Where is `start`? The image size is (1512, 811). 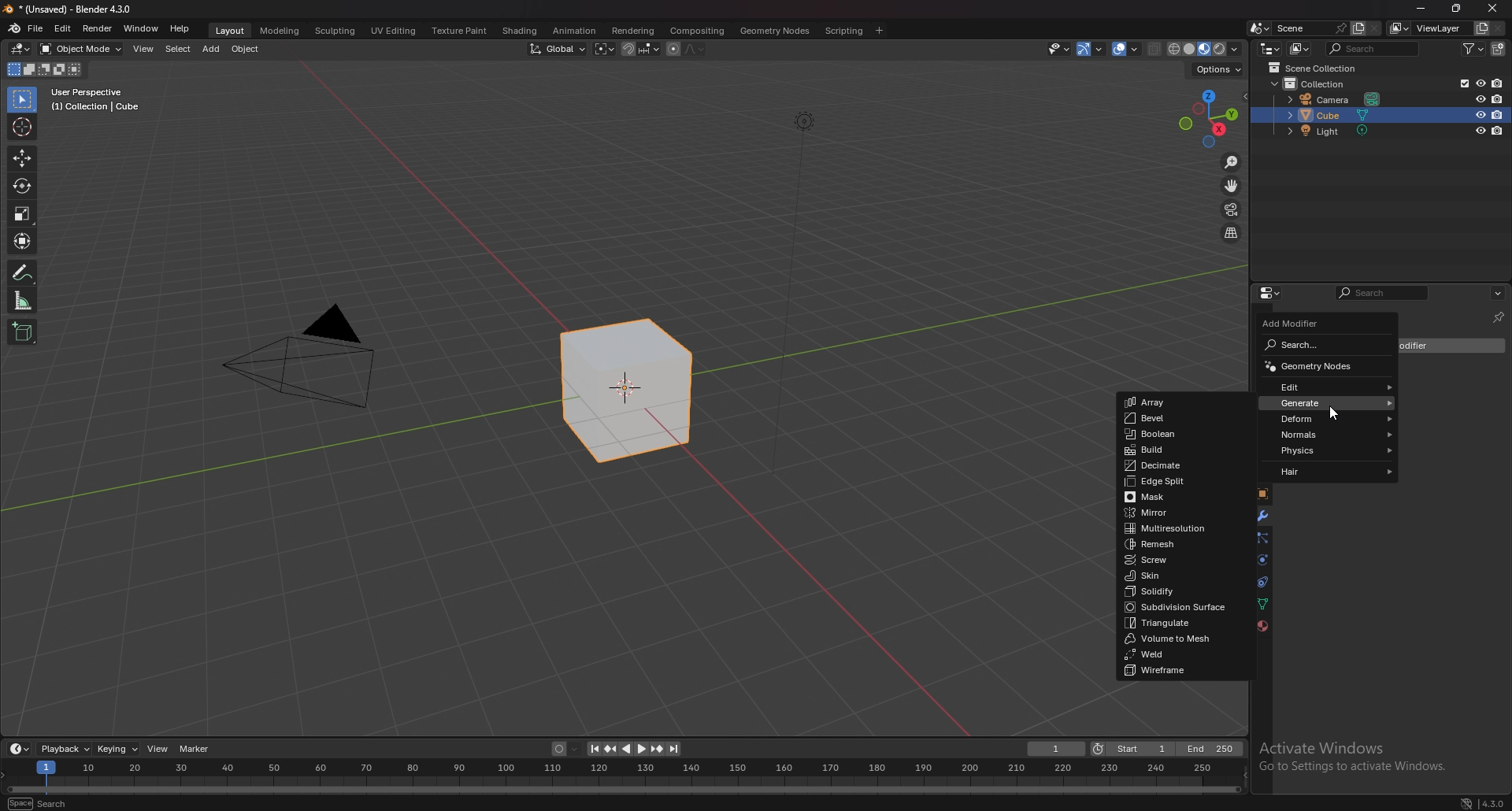
start is located at coordinates (1132, 749).